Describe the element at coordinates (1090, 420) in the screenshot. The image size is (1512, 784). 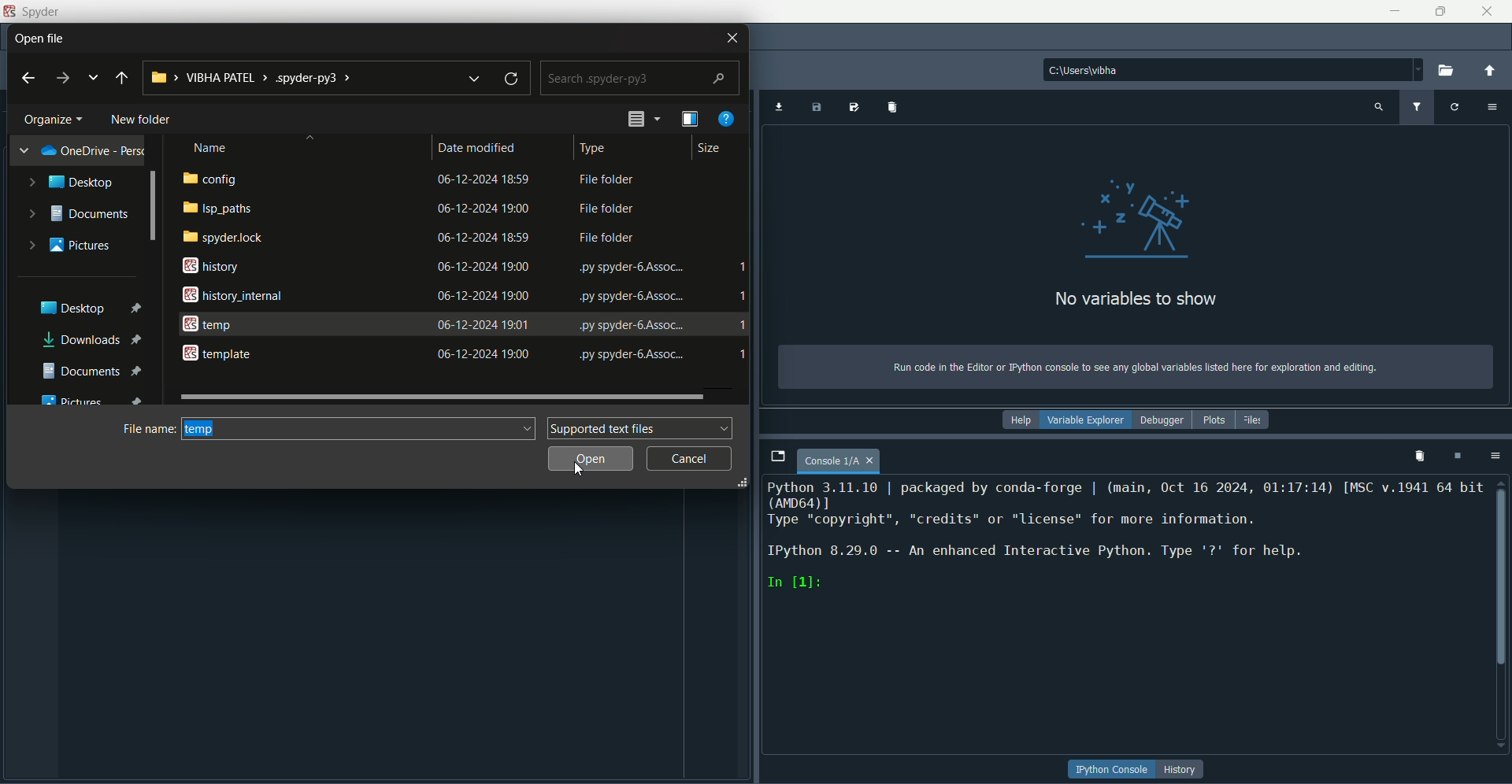
I see `variable explorer` at that location.